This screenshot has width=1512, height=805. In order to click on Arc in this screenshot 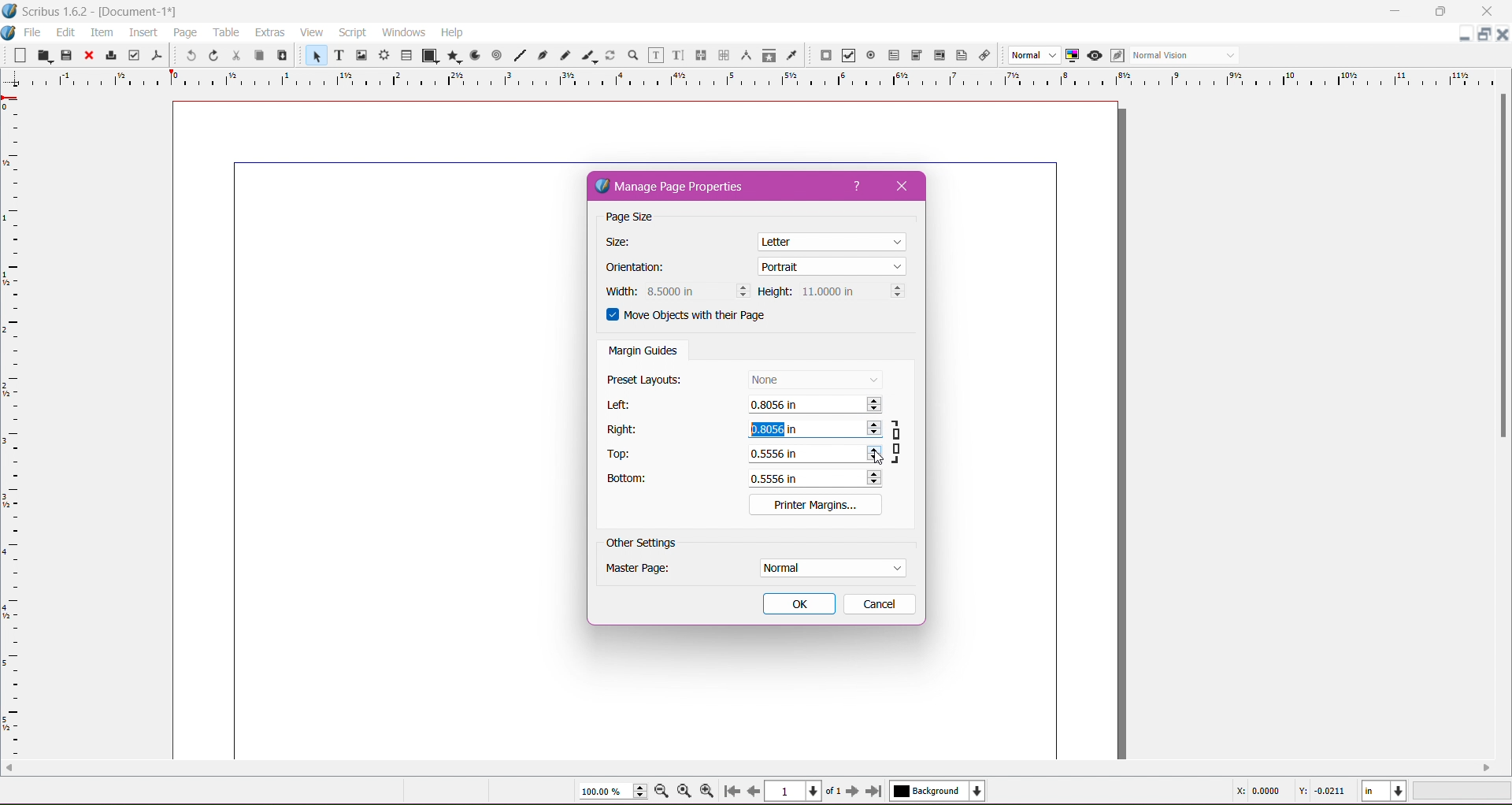, I will do `click(474, 55)`.